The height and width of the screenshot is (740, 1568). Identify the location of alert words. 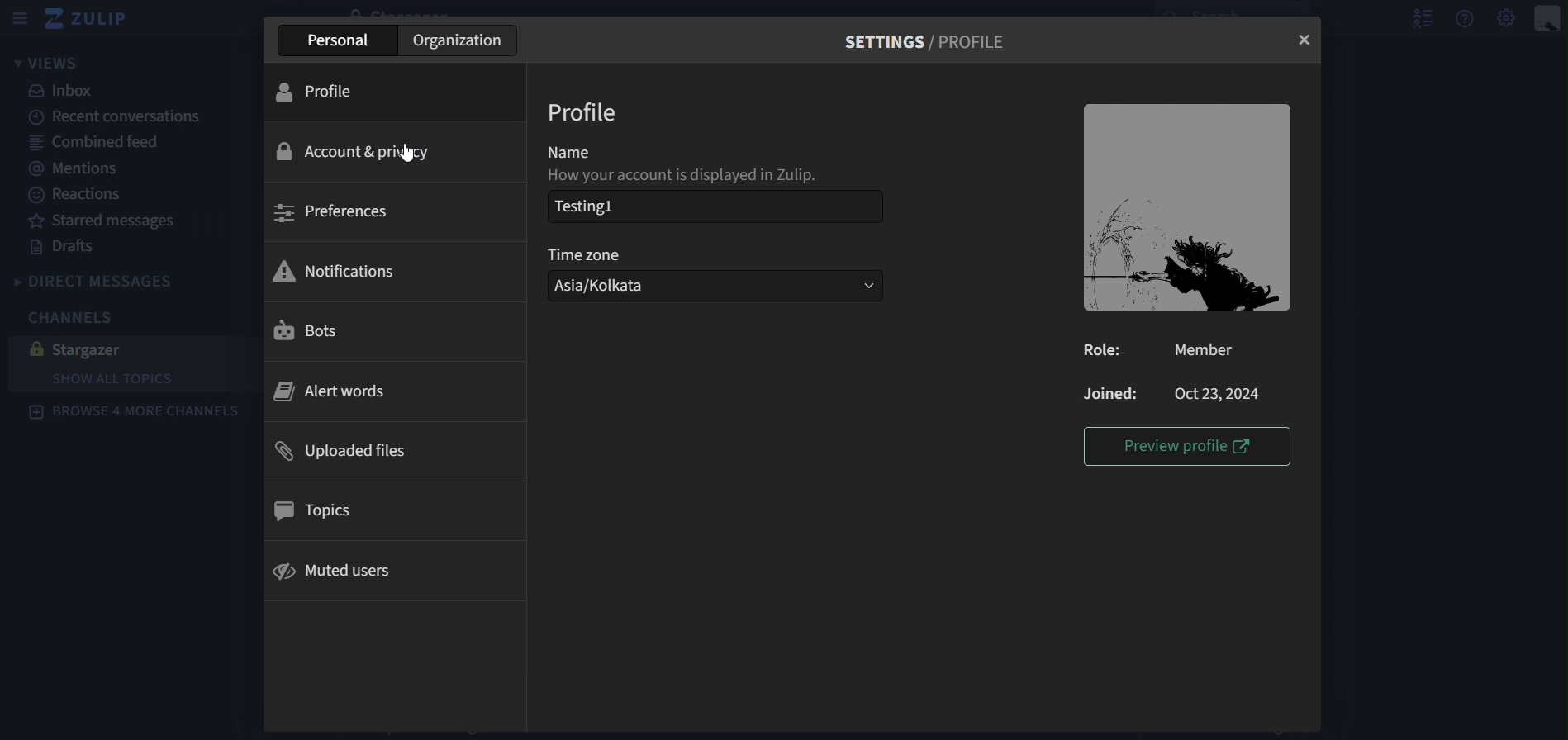
(328, 391).